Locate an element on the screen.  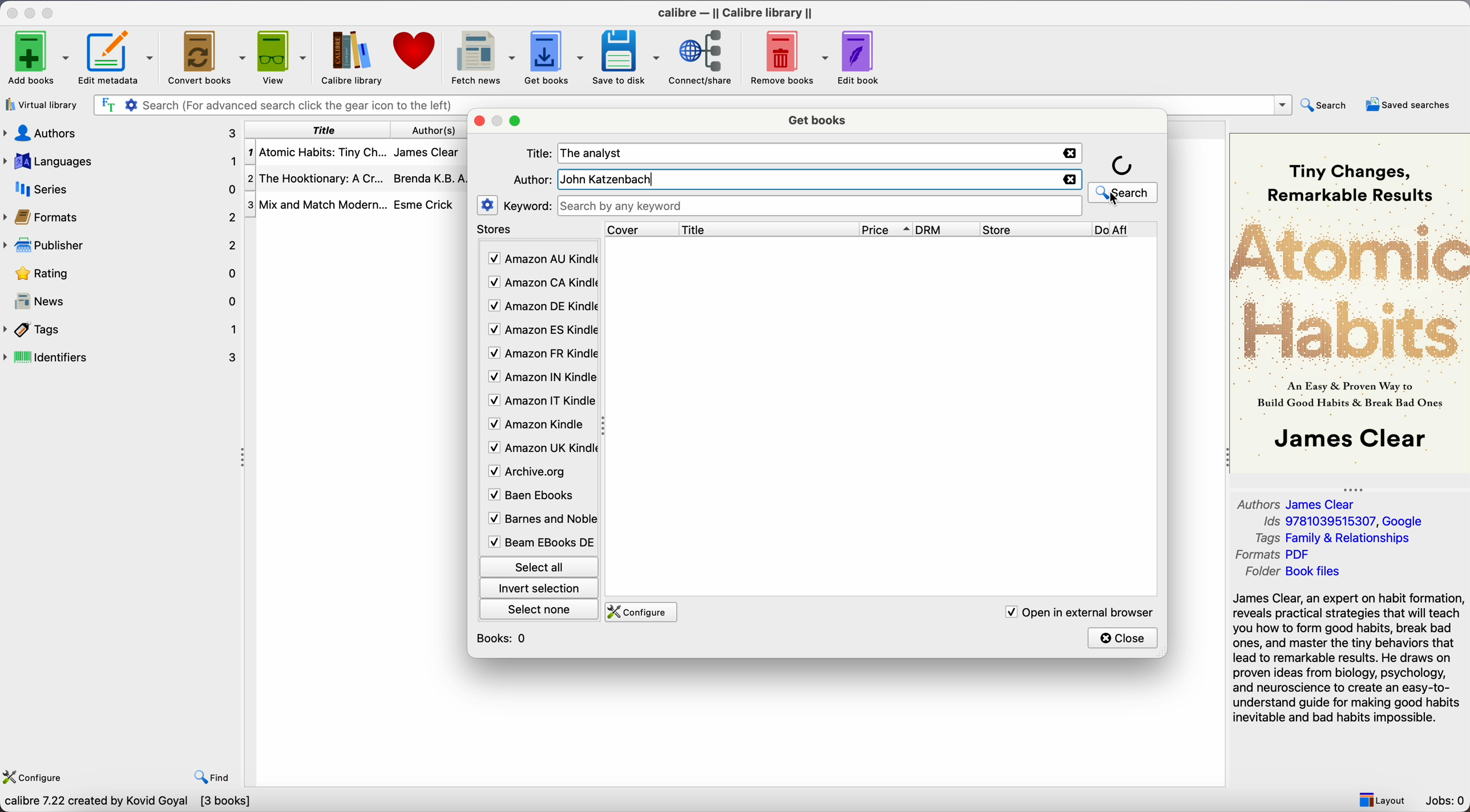
James Clear is located at coordinates (430, 155).